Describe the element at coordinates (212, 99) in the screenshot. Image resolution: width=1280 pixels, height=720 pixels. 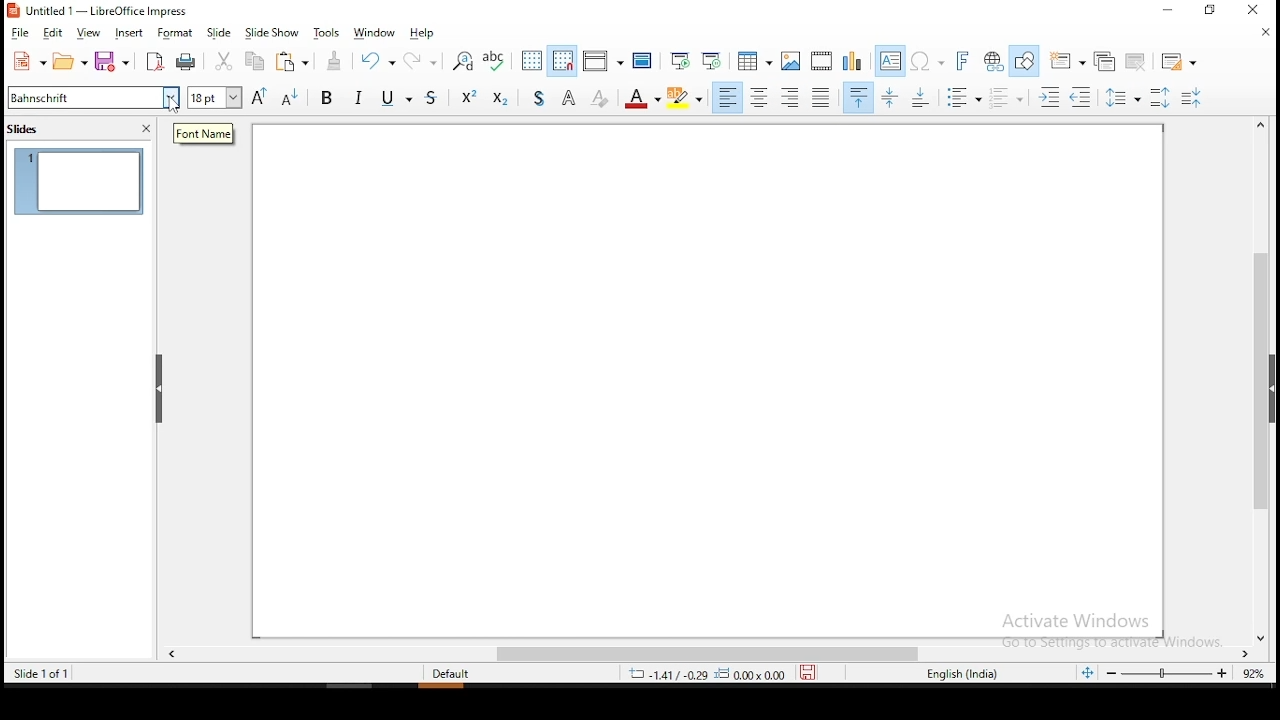
I see `font size` at that location.